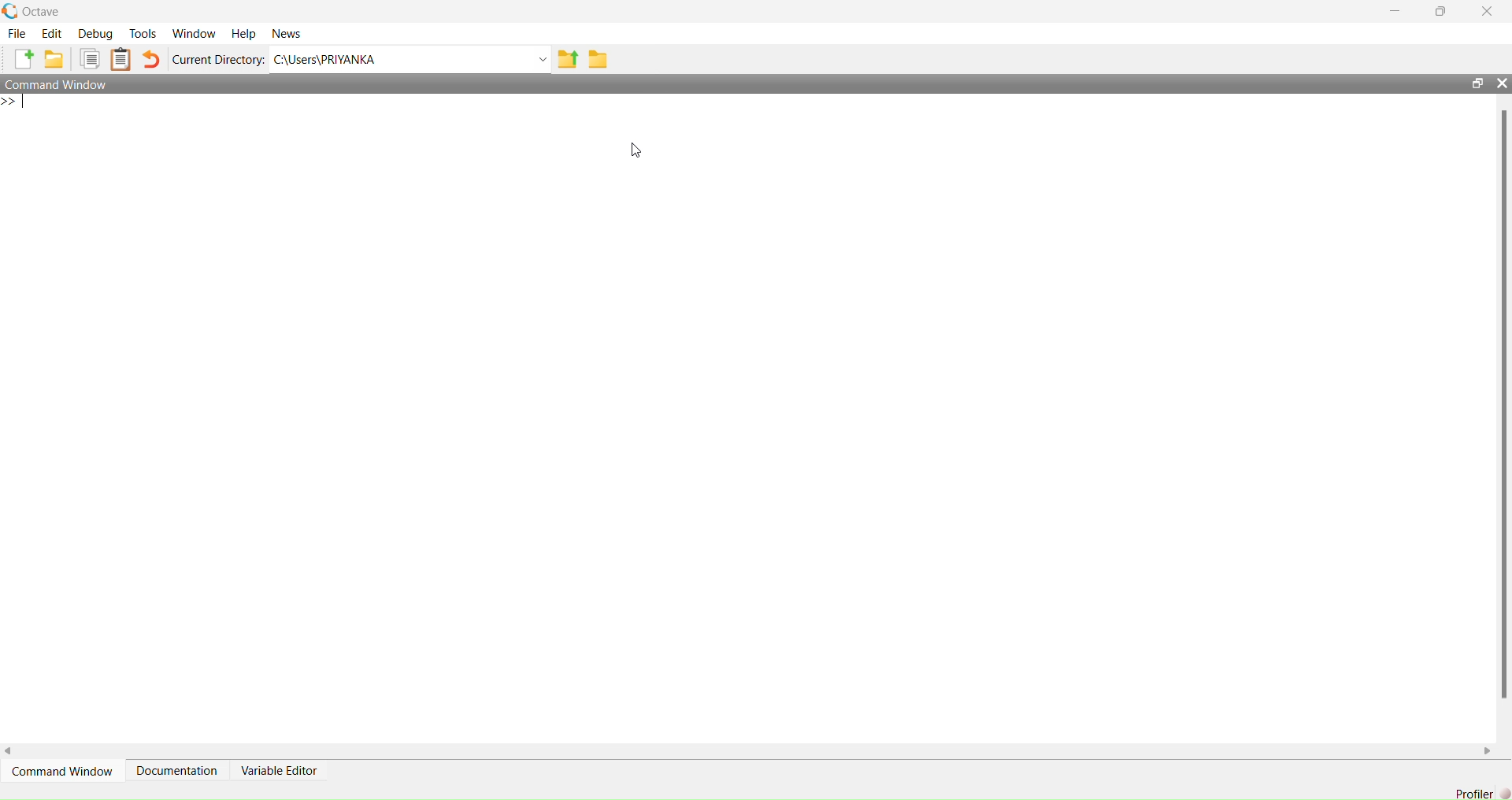 The image size is (1512, 800). Describe the element at coordinates (52, 33) in the screenshot. I see `Edit` at that location.